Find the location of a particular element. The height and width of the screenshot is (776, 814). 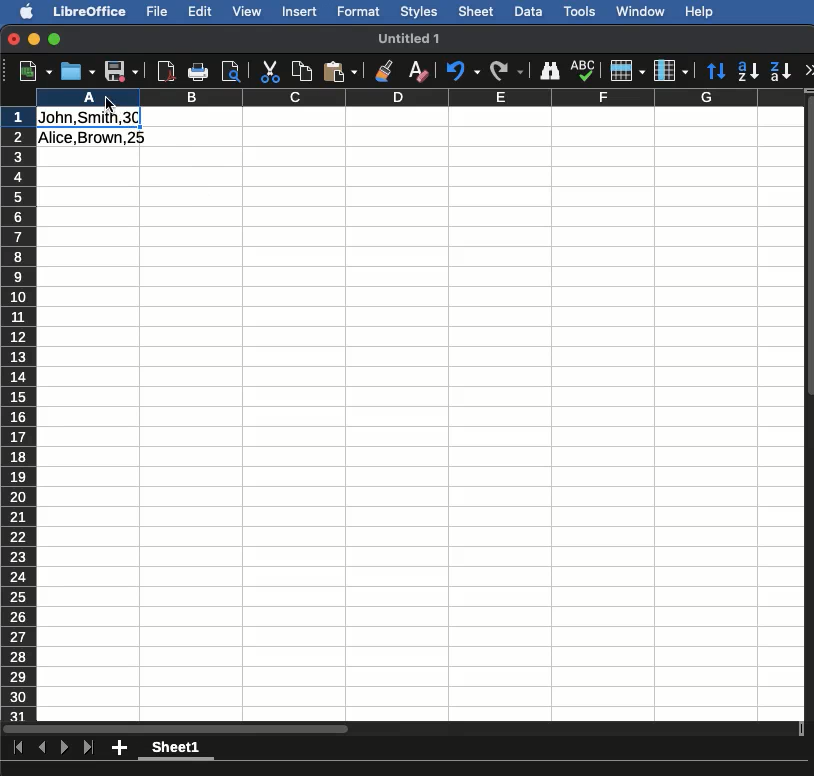

Minimize is located at coordinates (34, 38).